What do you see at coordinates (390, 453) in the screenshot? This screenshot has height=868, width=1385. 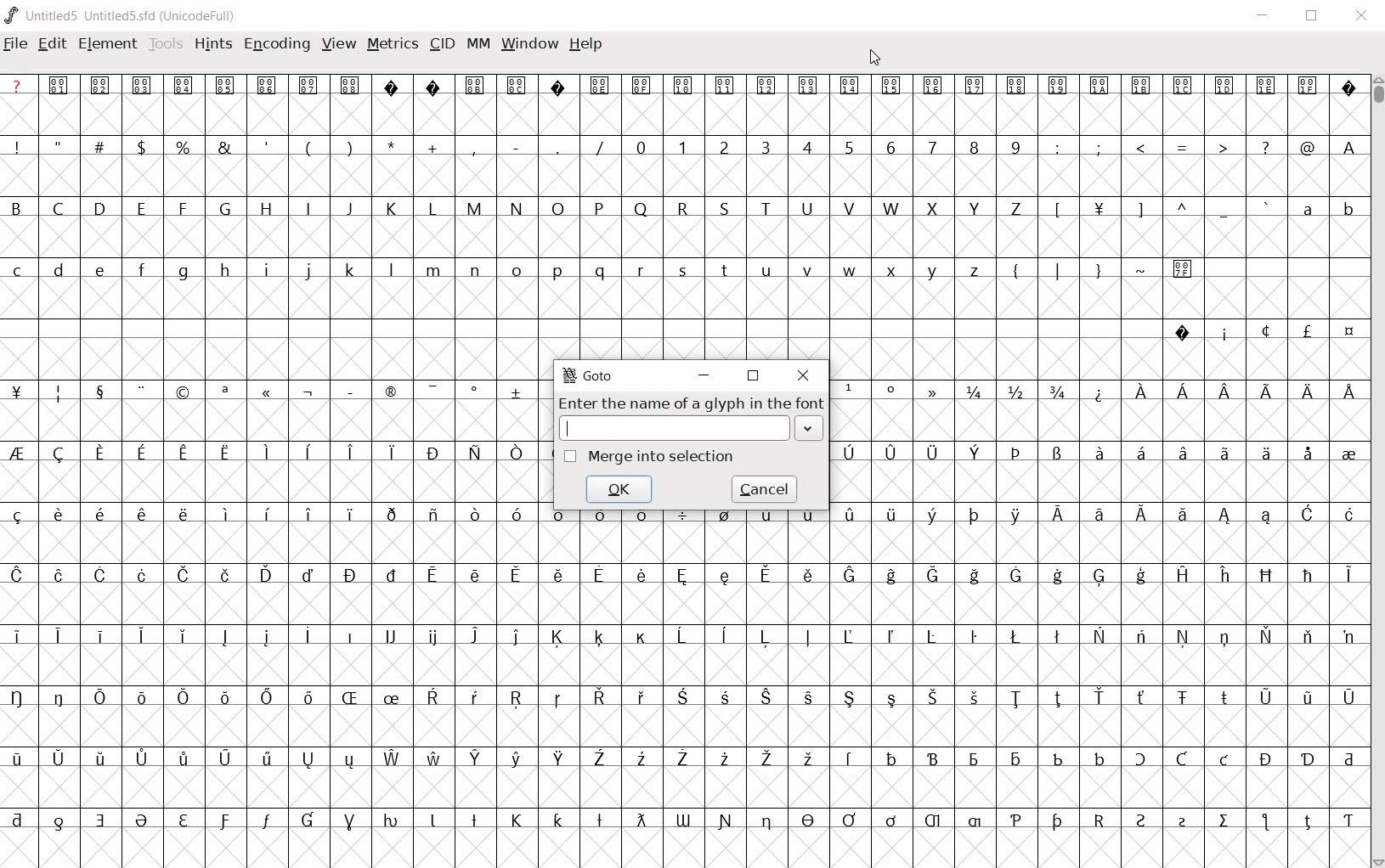 I see `Symbol` at bounding box center [390, 453].